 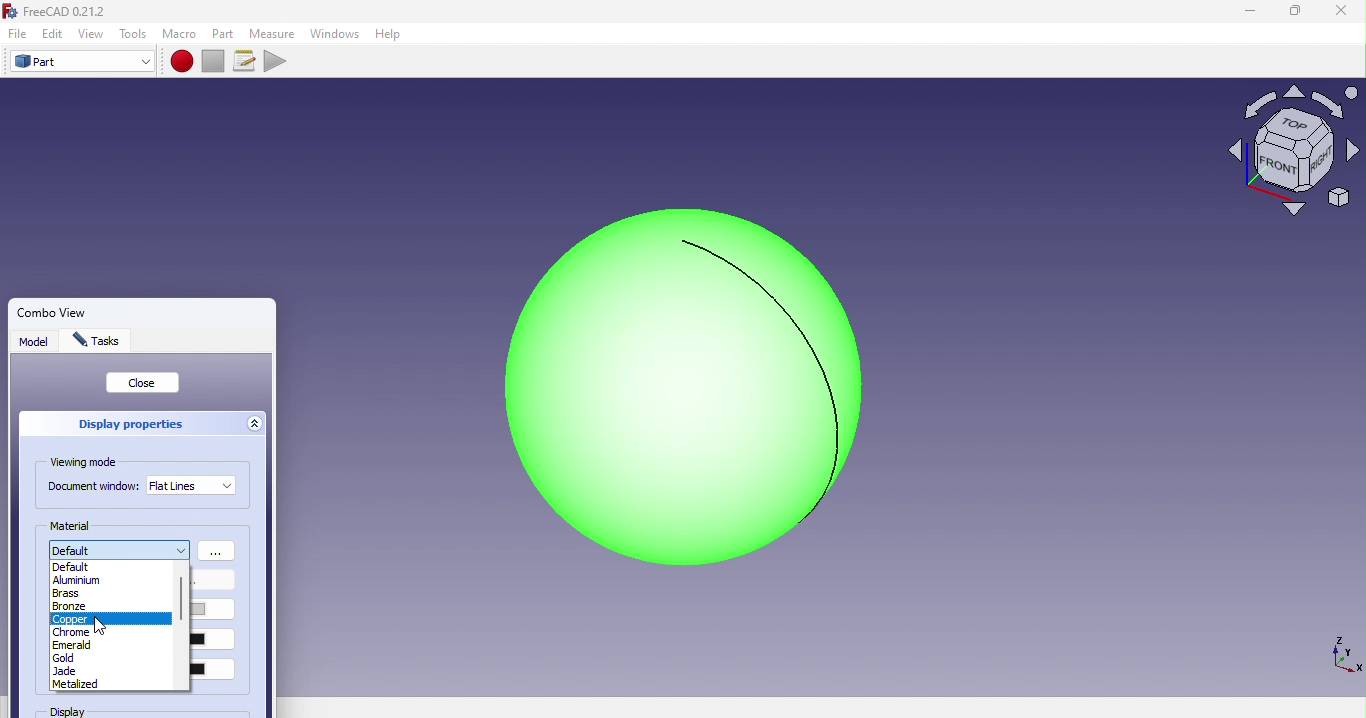 I want to click on close, so click(x=1342, y=12).